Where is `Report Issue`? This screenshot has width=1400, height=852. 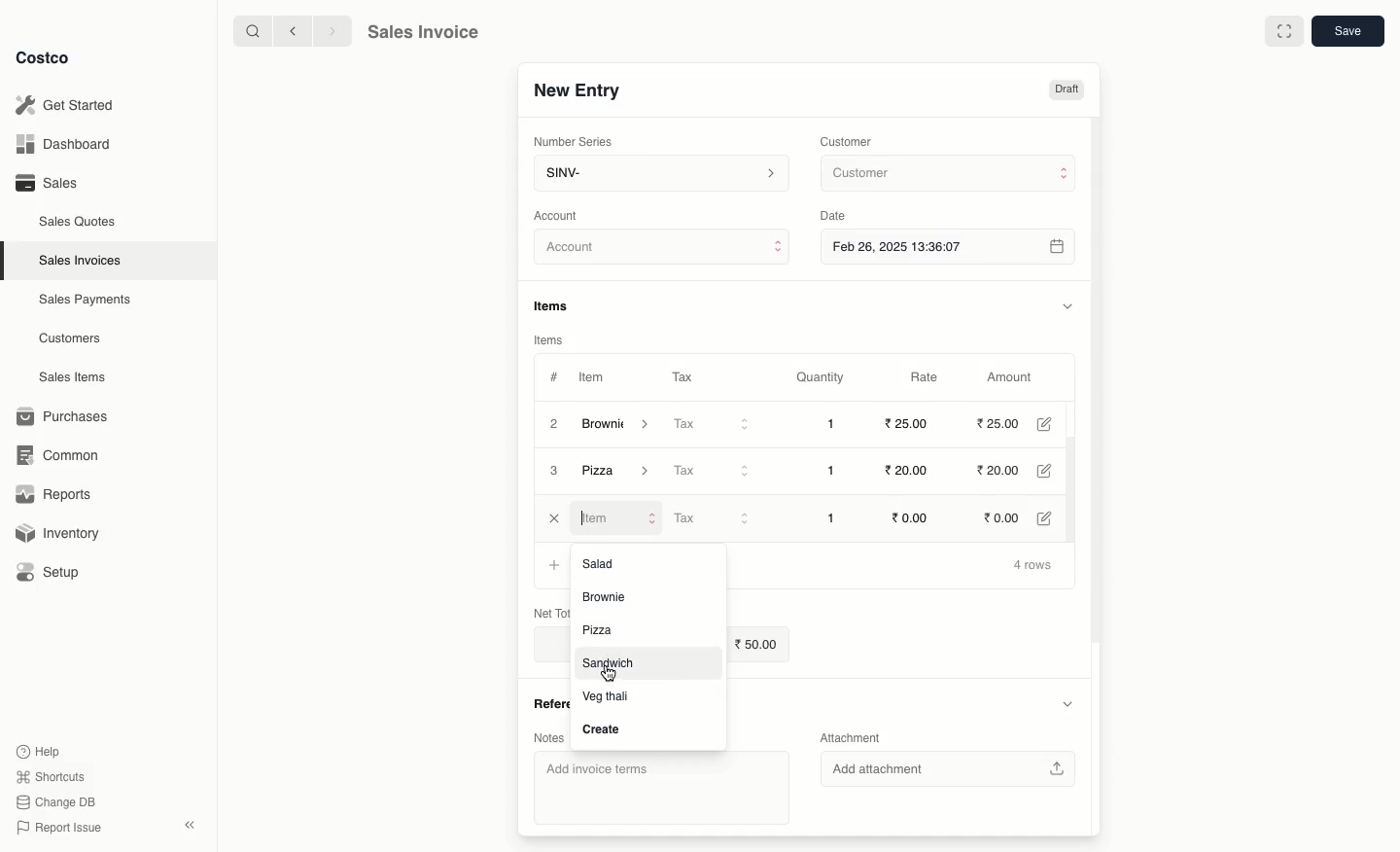 Report Issue is located at coordinates (55, 828).